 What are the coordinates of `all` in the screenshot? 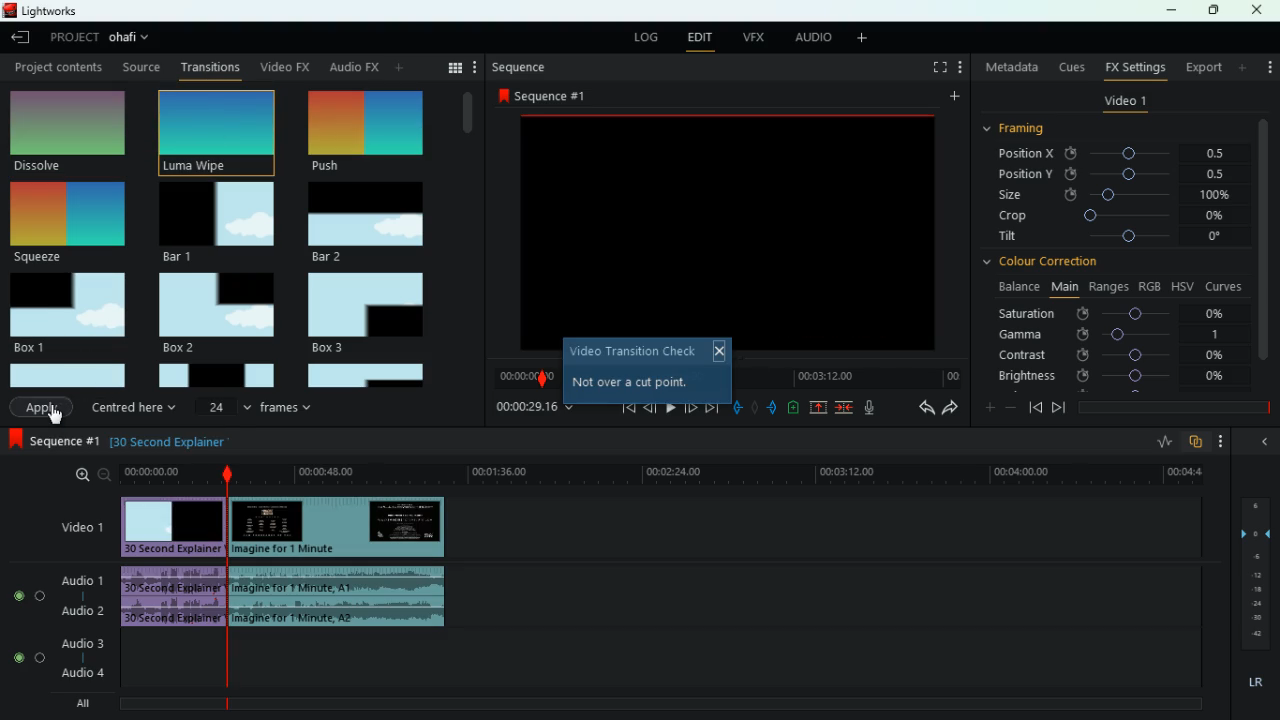 It's located at (90, 703).